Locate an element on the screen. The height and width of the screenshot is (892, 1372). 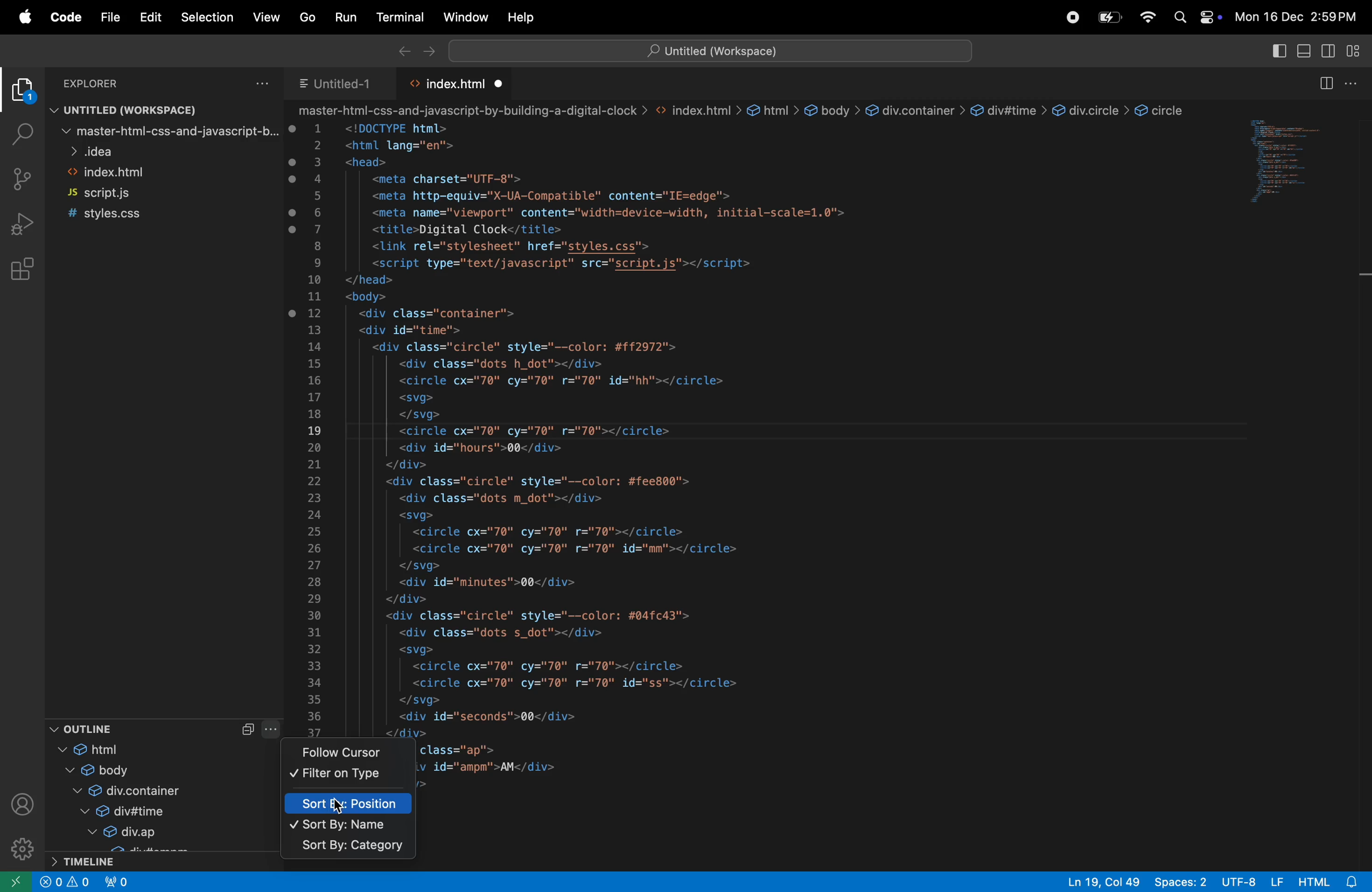
file is located at coordinates (107, 18).